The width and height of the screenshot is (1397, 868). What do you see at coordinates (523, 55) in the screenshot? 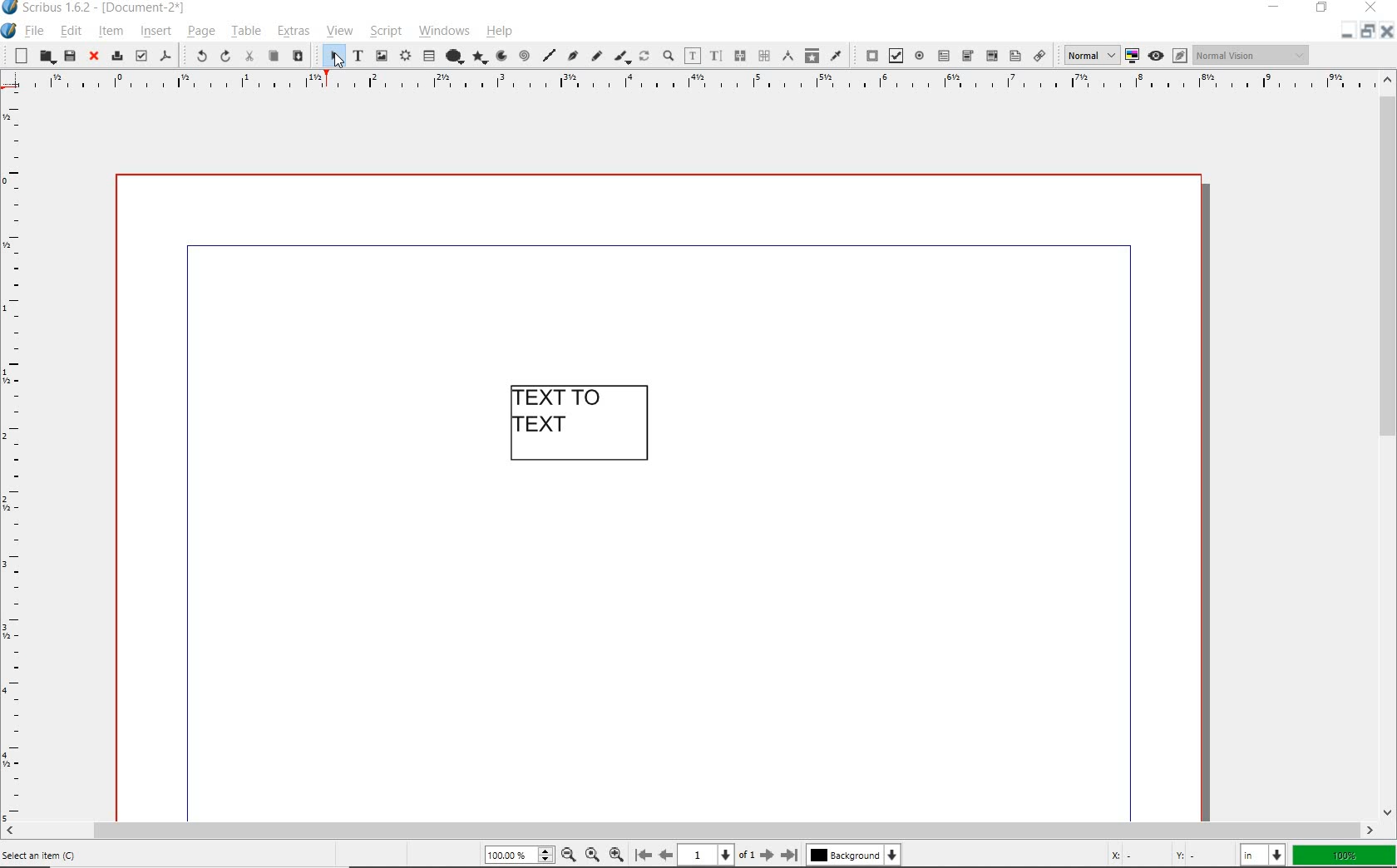
I see `spiral` at bounding box center [523, 55].